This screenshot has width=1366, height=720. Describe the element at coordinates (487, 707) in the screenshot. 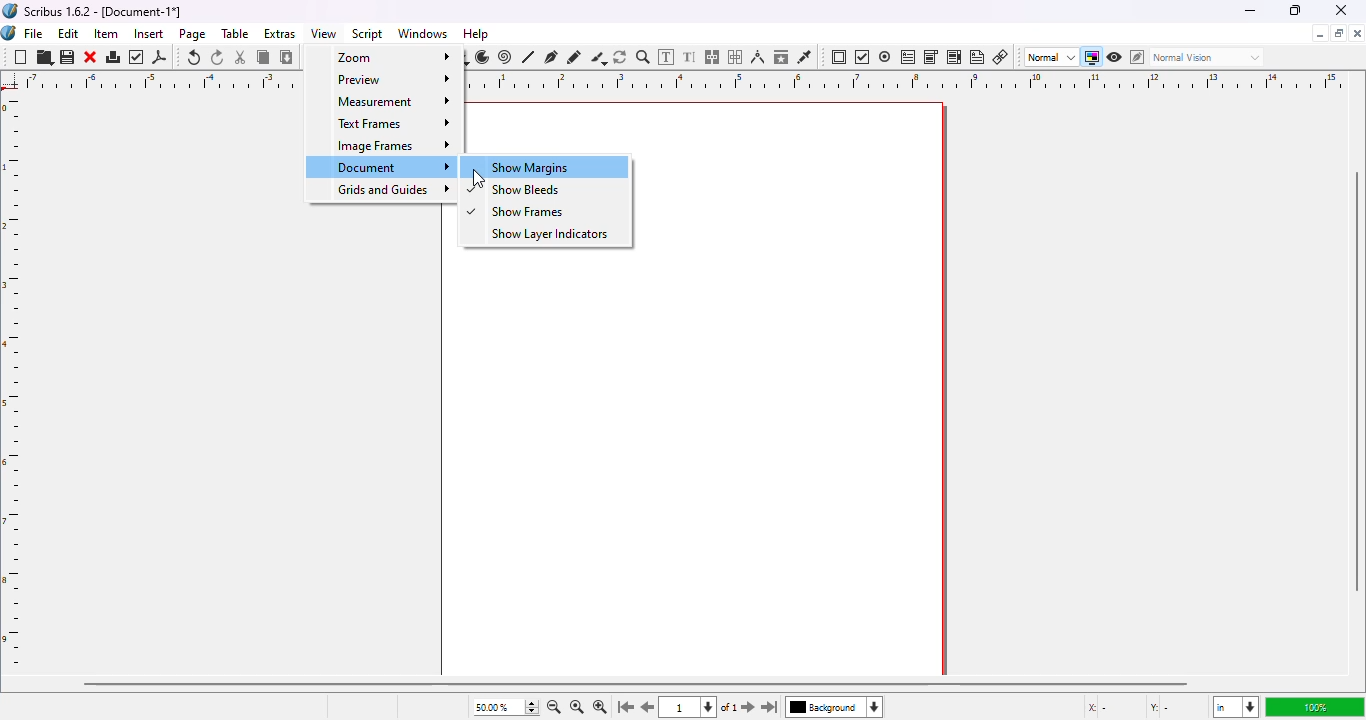

I see `50.00%` at that location.